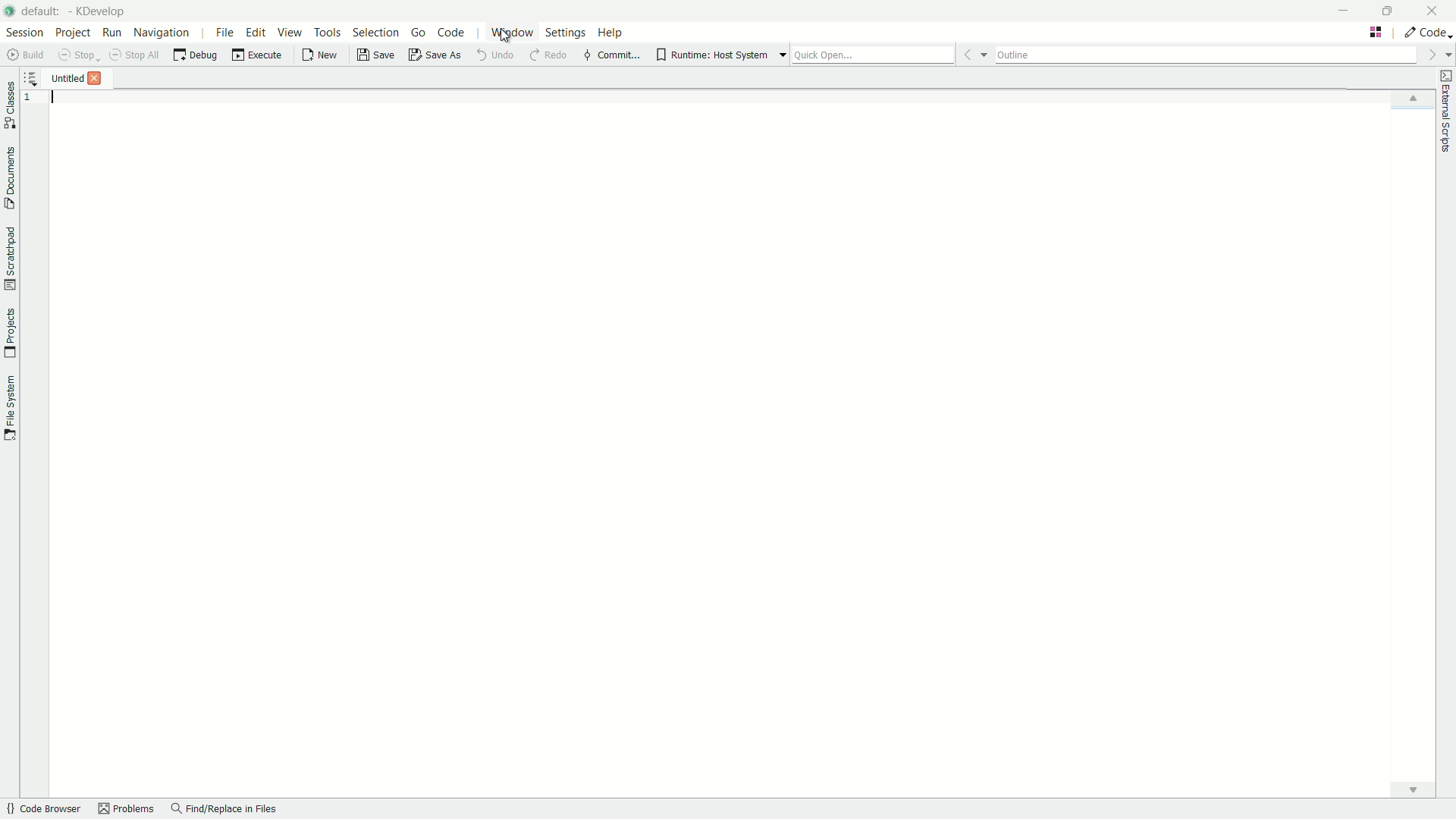 The image size is (1456, 819). Describe the element at coordinates (52, 102) in the screenshot. I see `typing cursor` at that location.